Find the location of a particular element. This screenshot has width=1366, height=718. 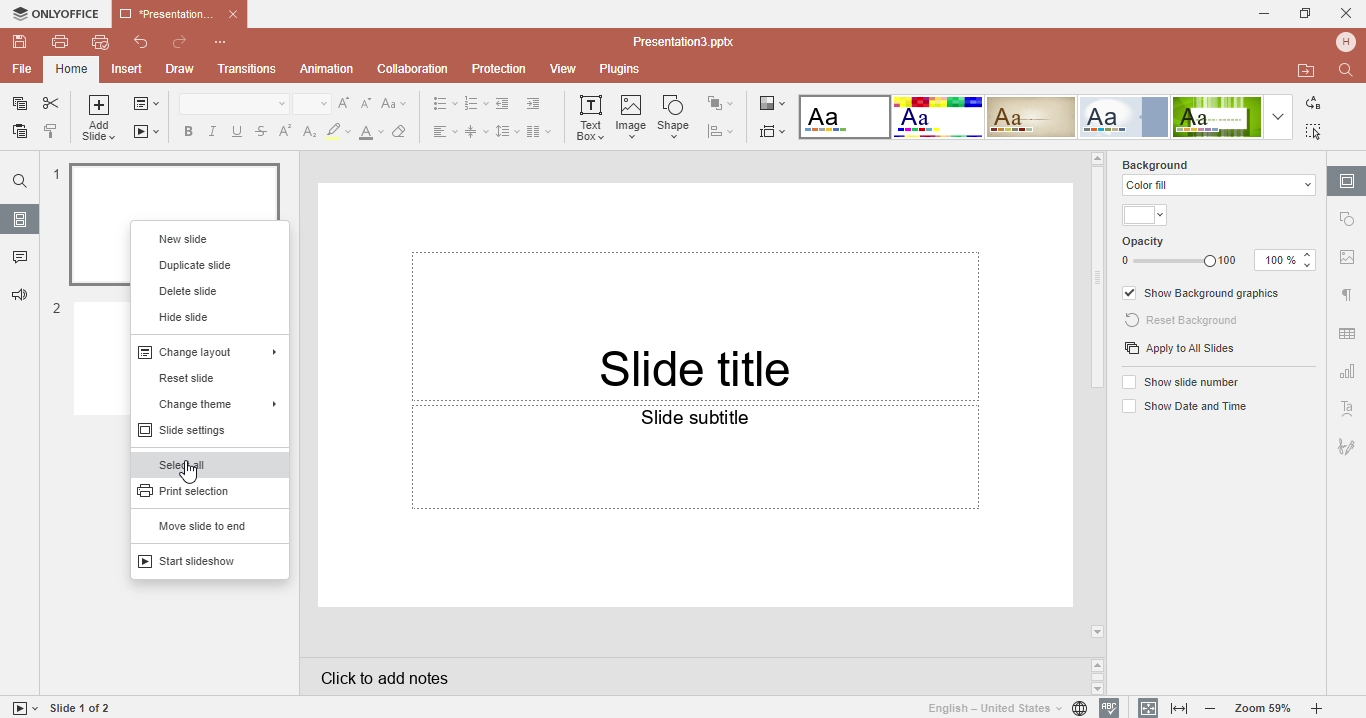

Slide settings is located at coordinates (1347, 180).